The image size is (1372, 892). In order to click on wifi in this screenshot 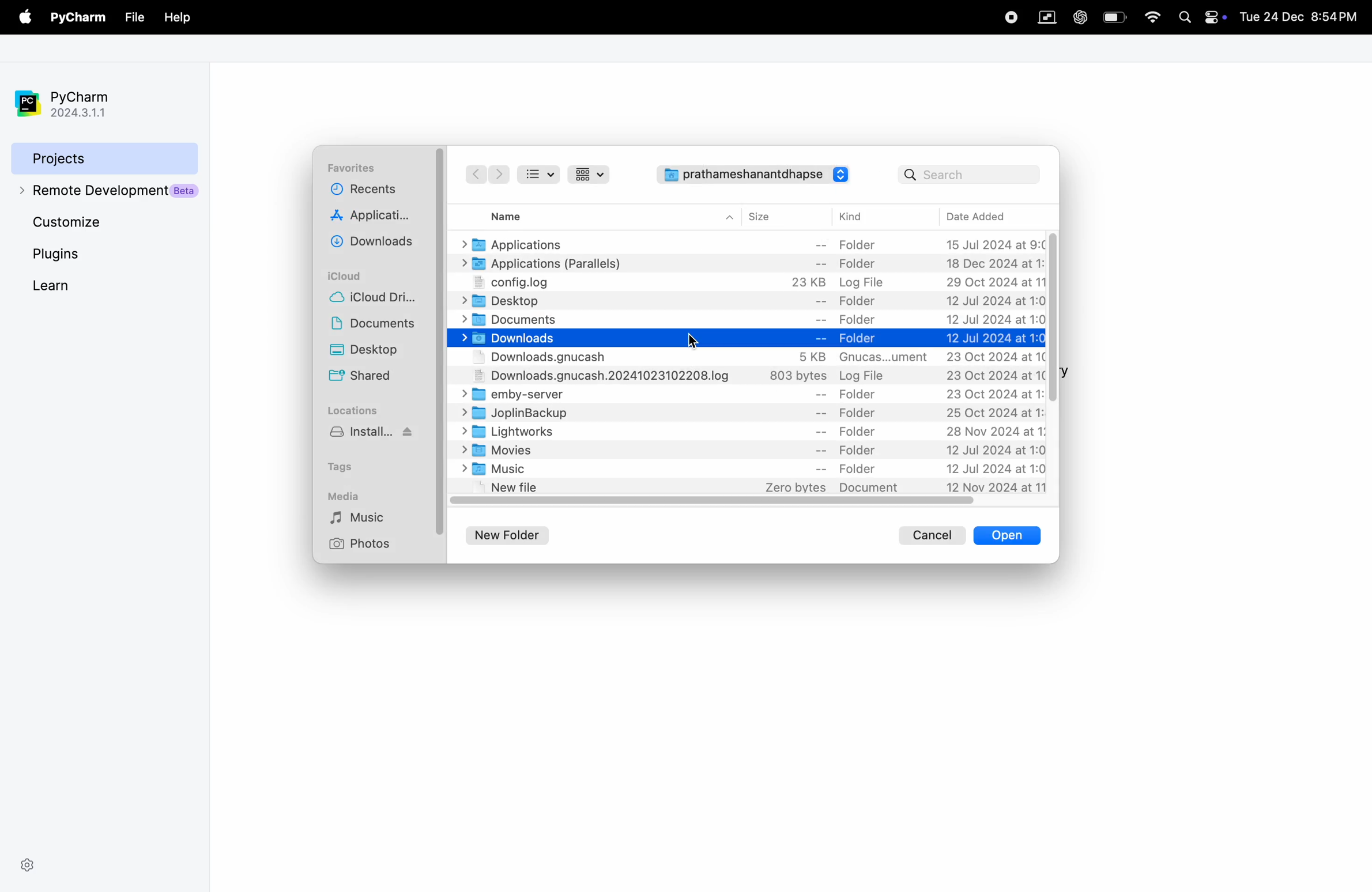, I will do `click(1149, 18)`.